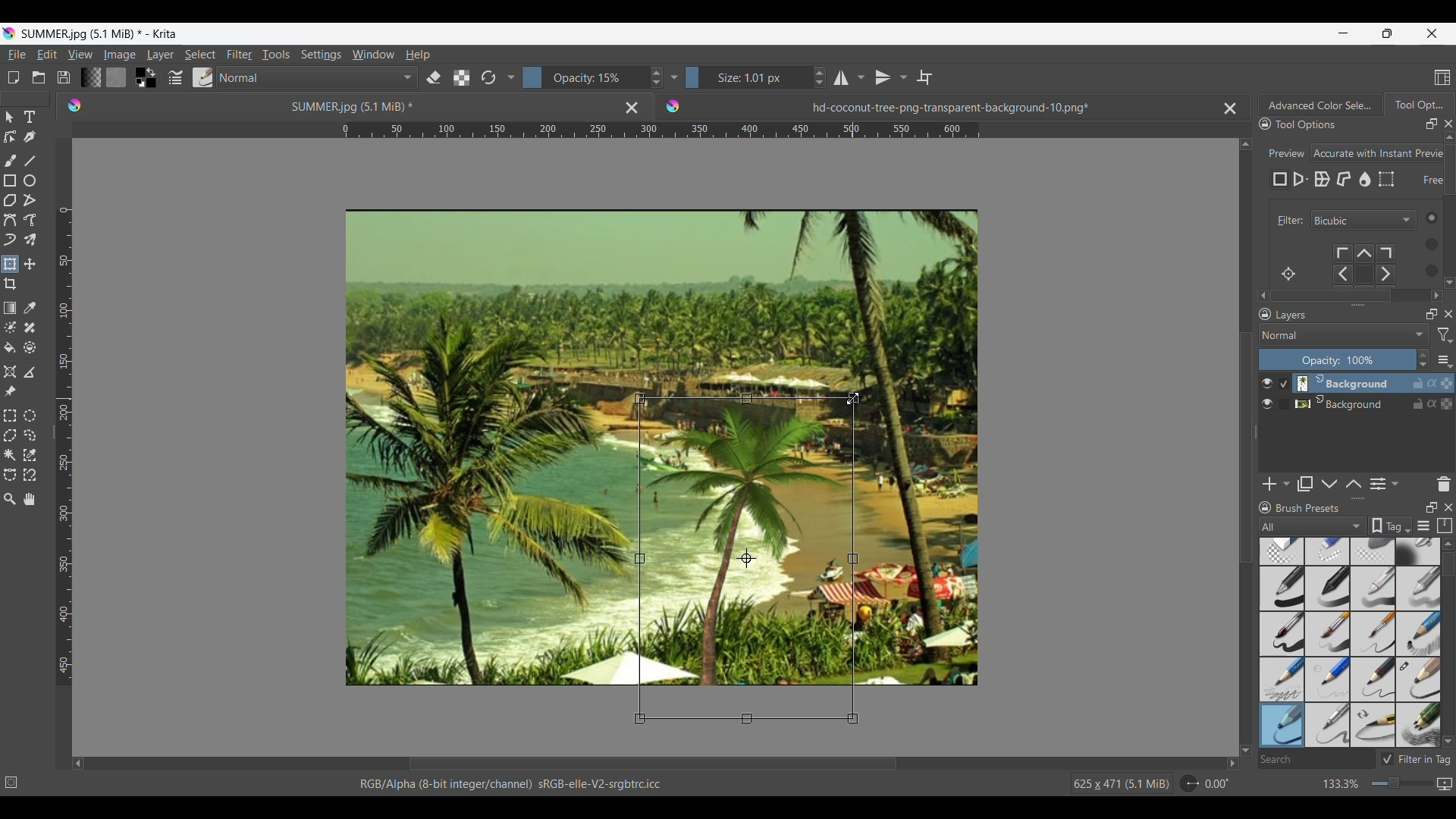 The image size is (1456, 819). Describe the element at coordinates (1322, 180) in the screenshot. I see `Warp` at that location.